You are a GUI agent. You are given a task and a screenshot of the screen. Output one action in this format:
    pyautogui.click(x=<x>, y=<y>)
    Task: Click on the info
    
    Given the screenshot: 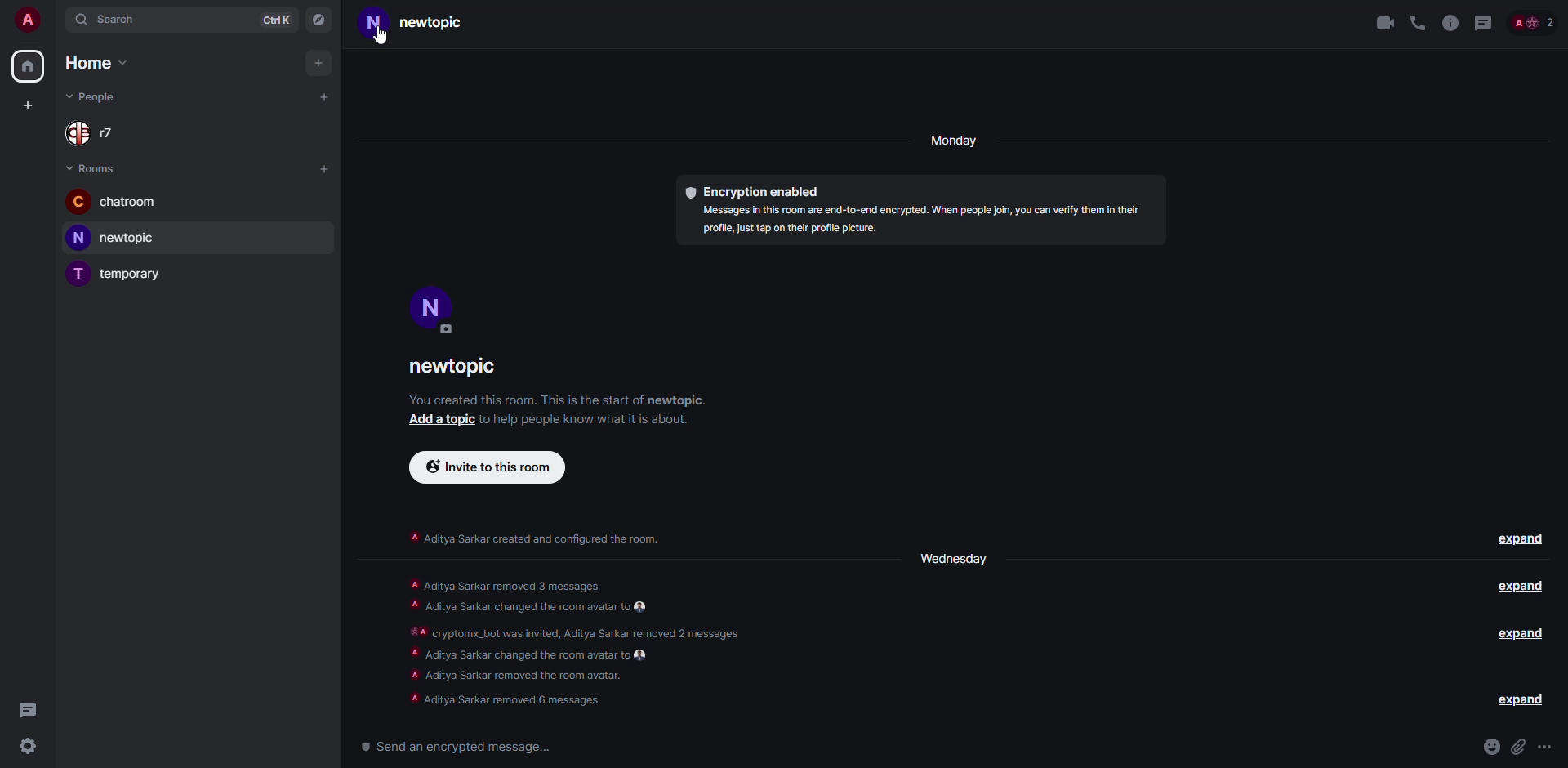 What is the action you would take?
    pyautogui.click(x=541, y=539)
    